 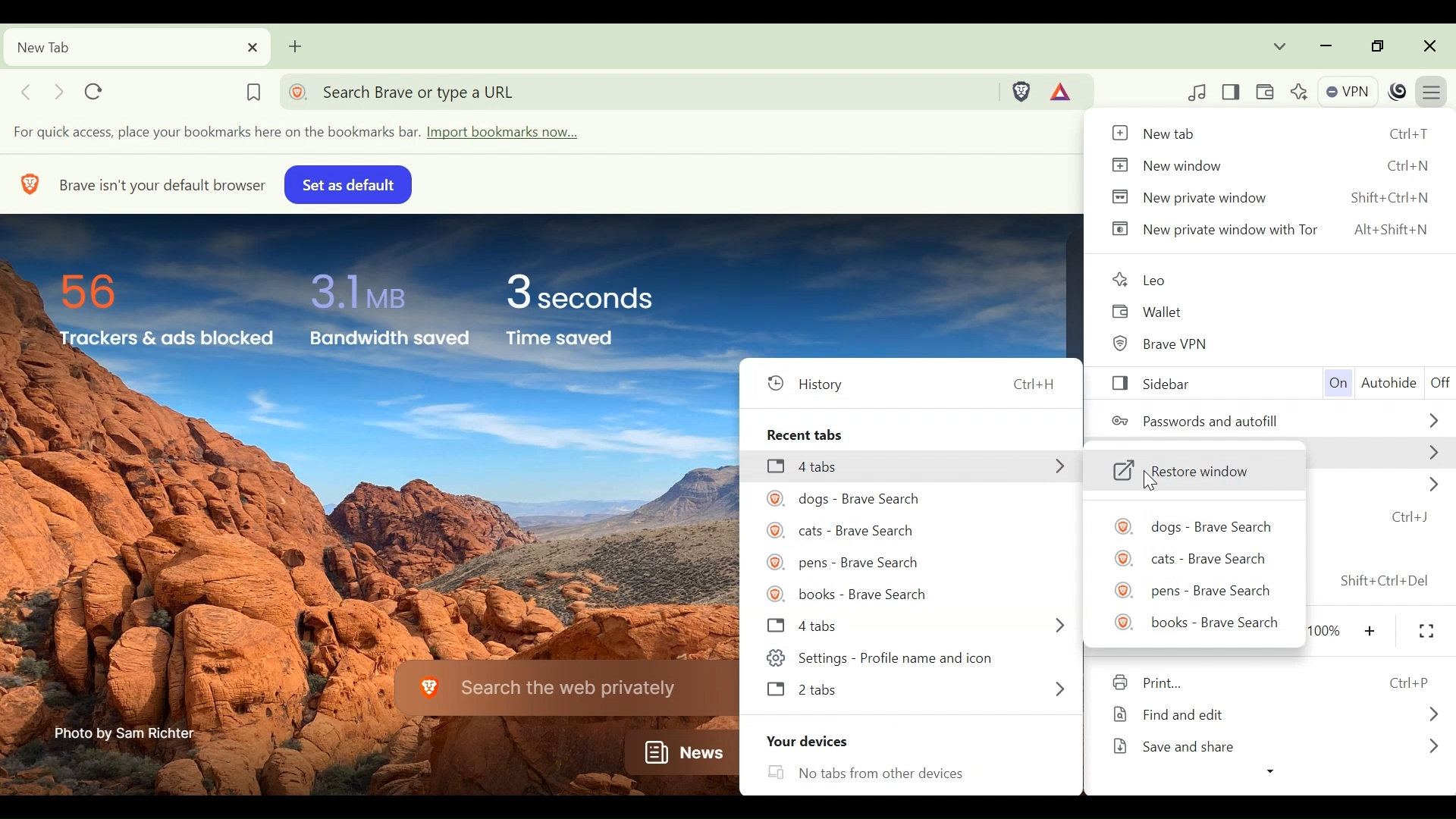 What do you see at coordinates (1373, 629) in the screenshot?
I see `+` at bounding box center [1373, 629].